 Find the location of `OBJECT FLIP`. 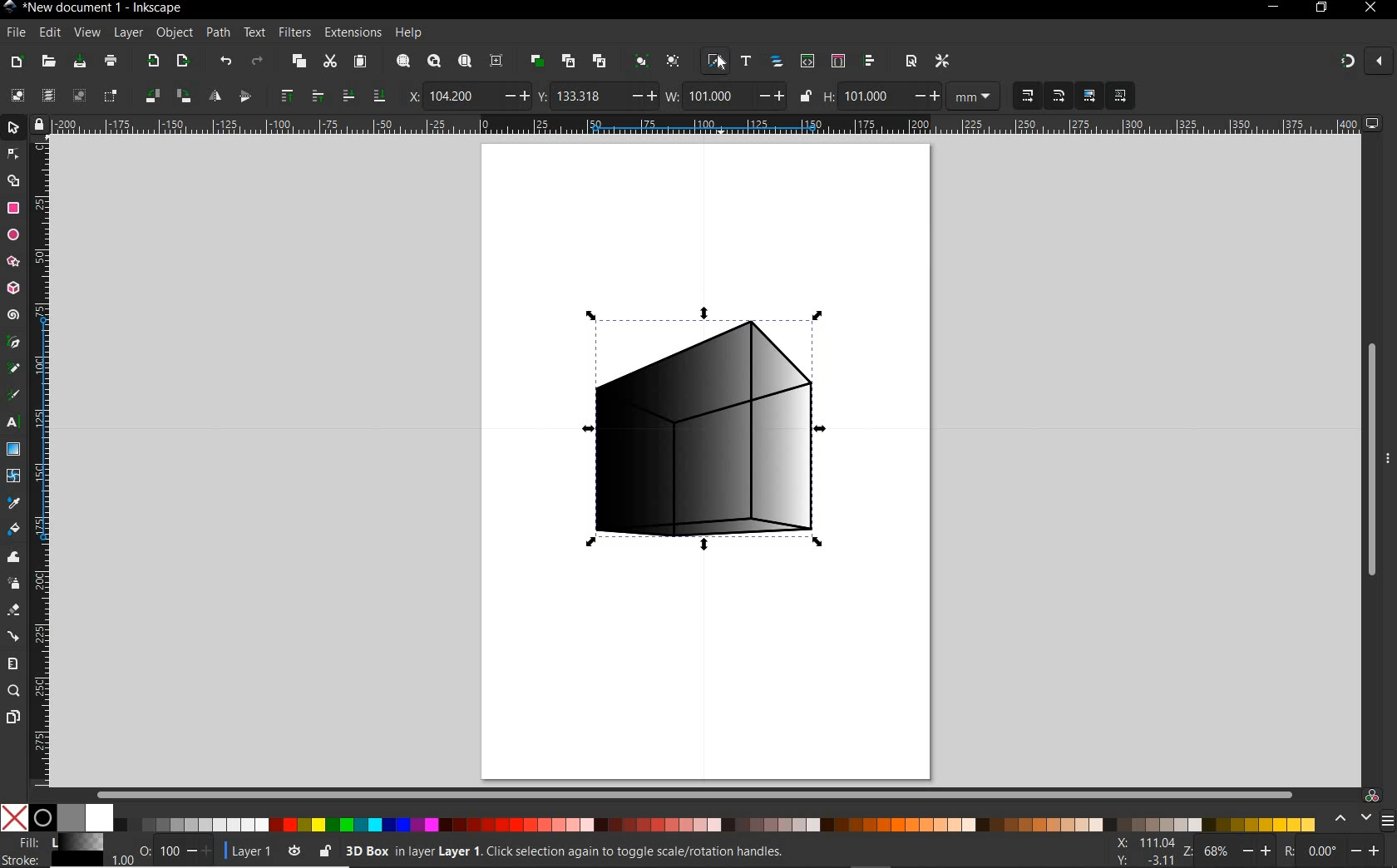

OBJECT FLIP is located at coordinates (217, 95).